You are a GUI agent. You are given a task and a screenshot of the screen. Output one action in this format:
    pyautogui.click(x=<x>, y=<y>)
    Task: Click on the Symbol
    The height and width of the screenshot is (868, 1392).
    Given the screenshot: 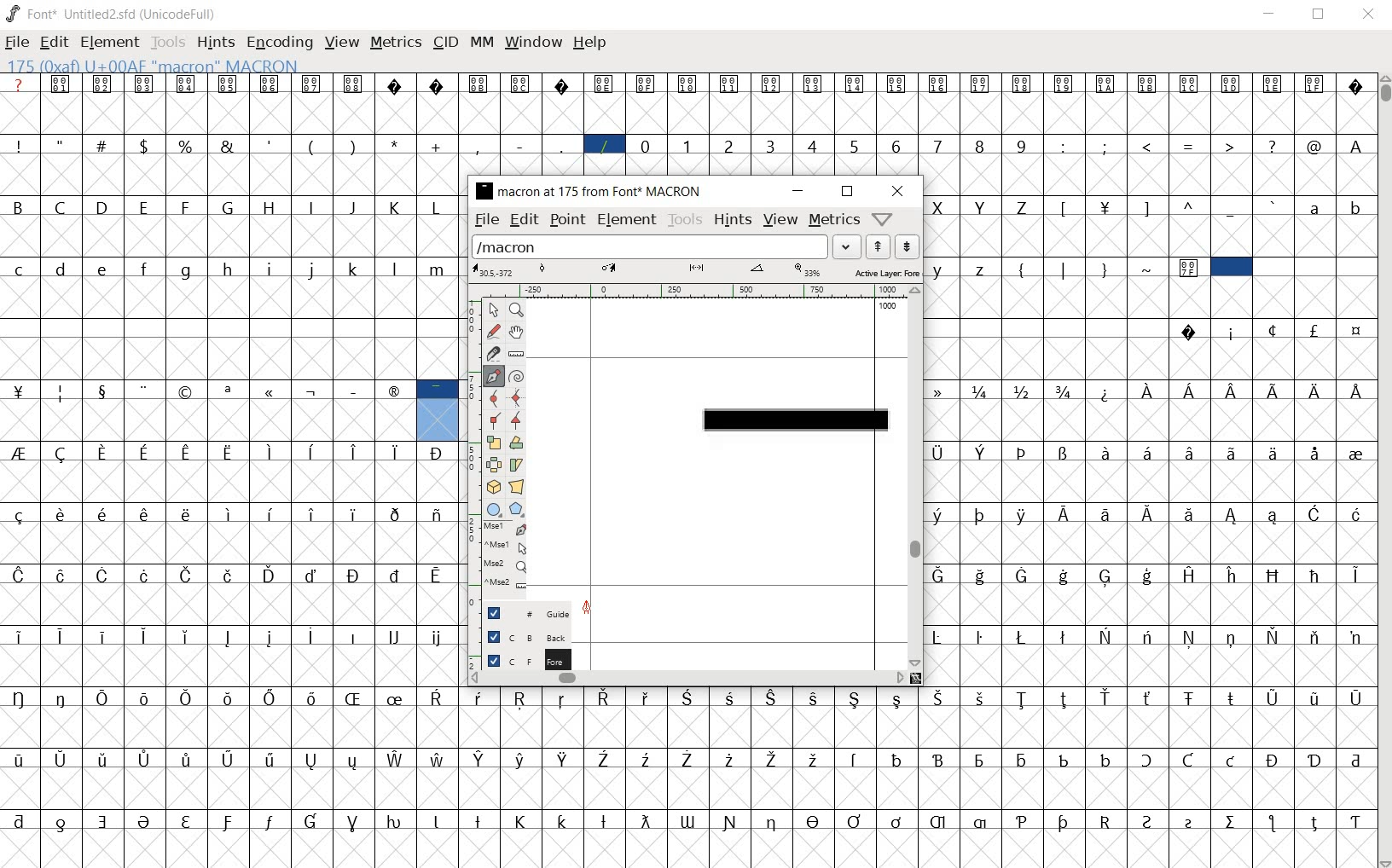 What is the action you would take?
    pyautogui.click(x=1105, y=513)
    